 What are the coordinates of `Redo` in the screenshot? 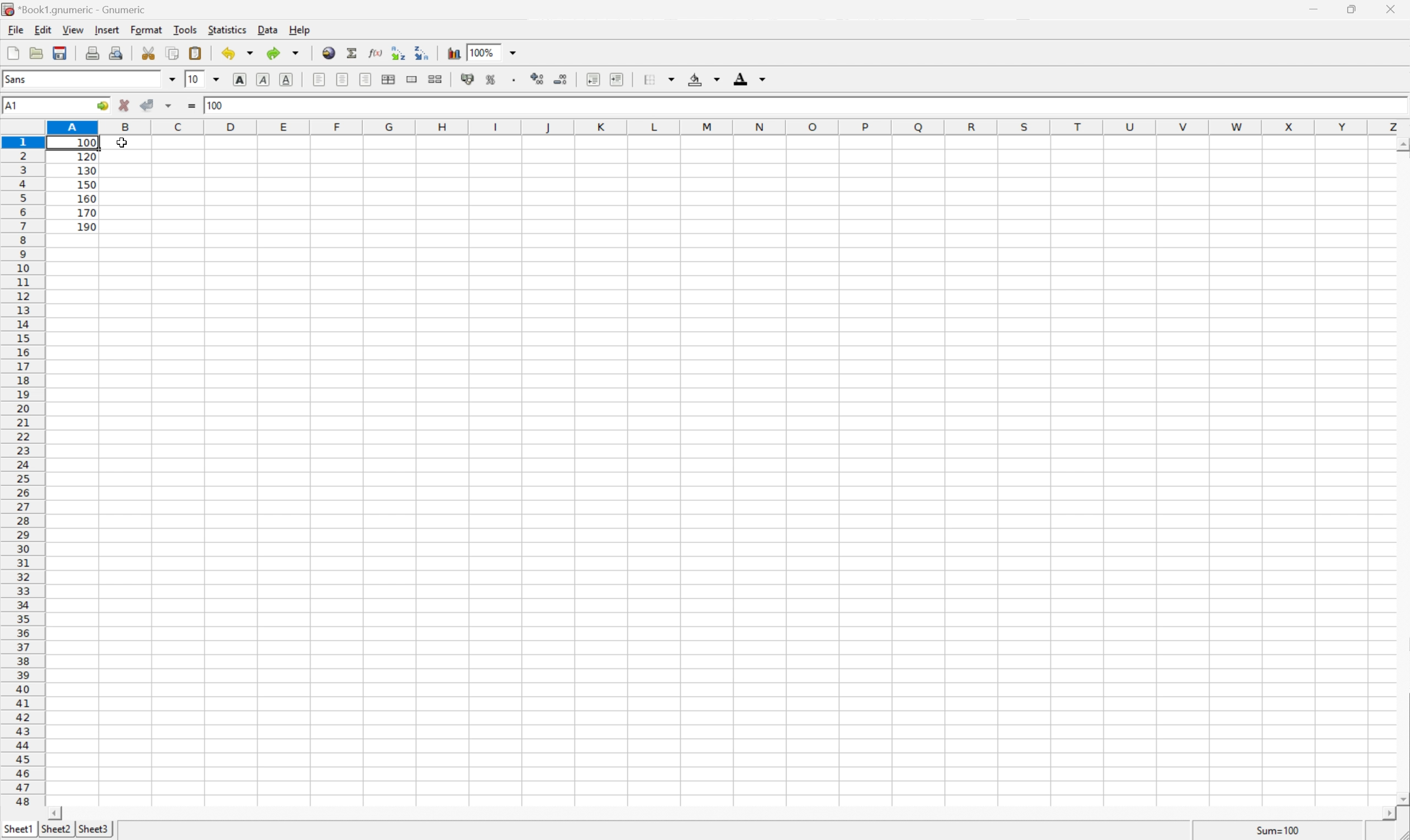 It's located at (280, 53).